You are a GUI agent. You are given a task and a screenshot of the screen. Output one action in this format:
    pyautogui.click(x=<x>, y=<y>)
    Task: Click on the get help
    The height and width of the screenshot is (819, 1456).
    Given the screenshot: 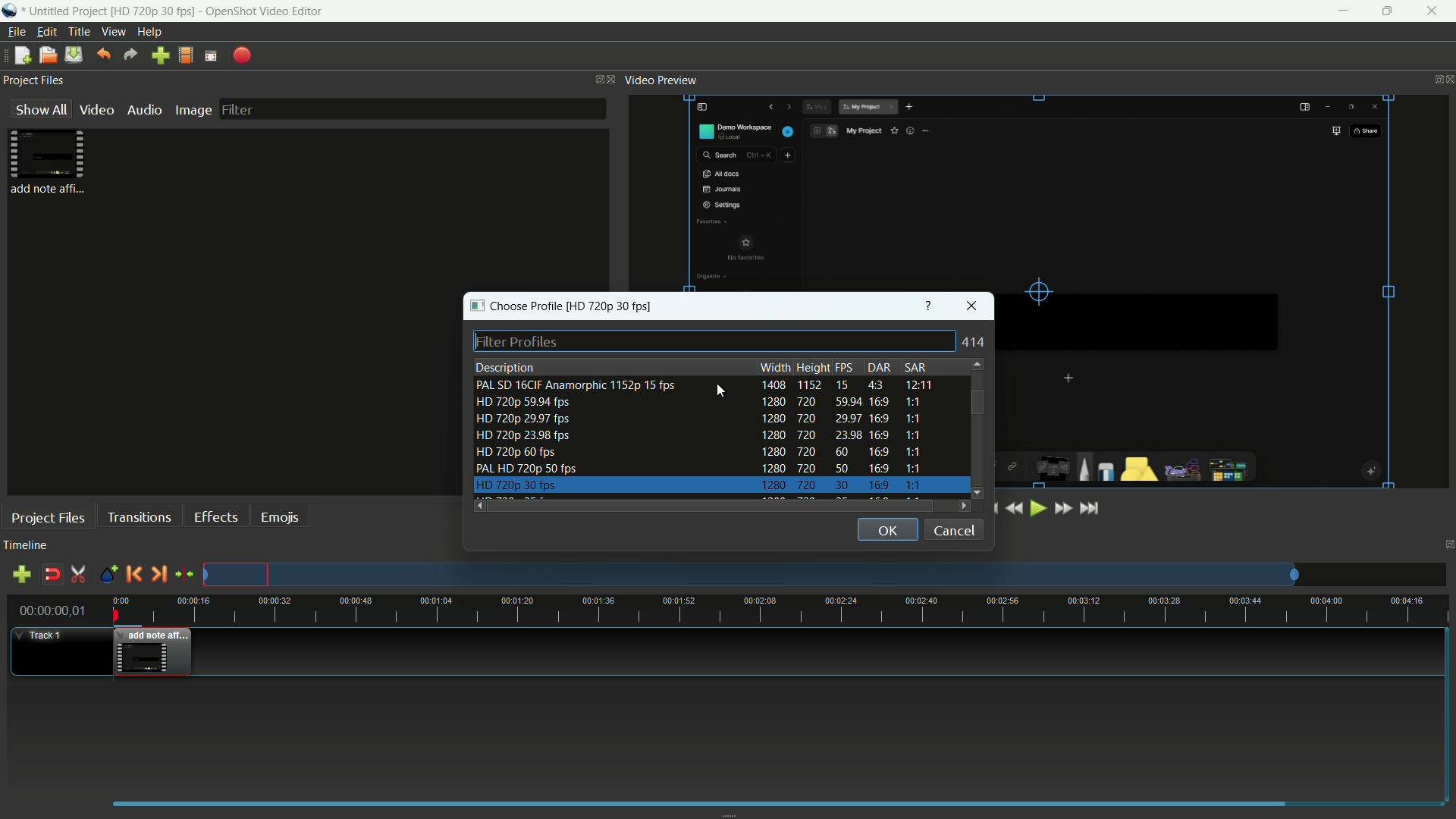 What is the action you would take?
    pyautogui.click(x=930, y=305)
    